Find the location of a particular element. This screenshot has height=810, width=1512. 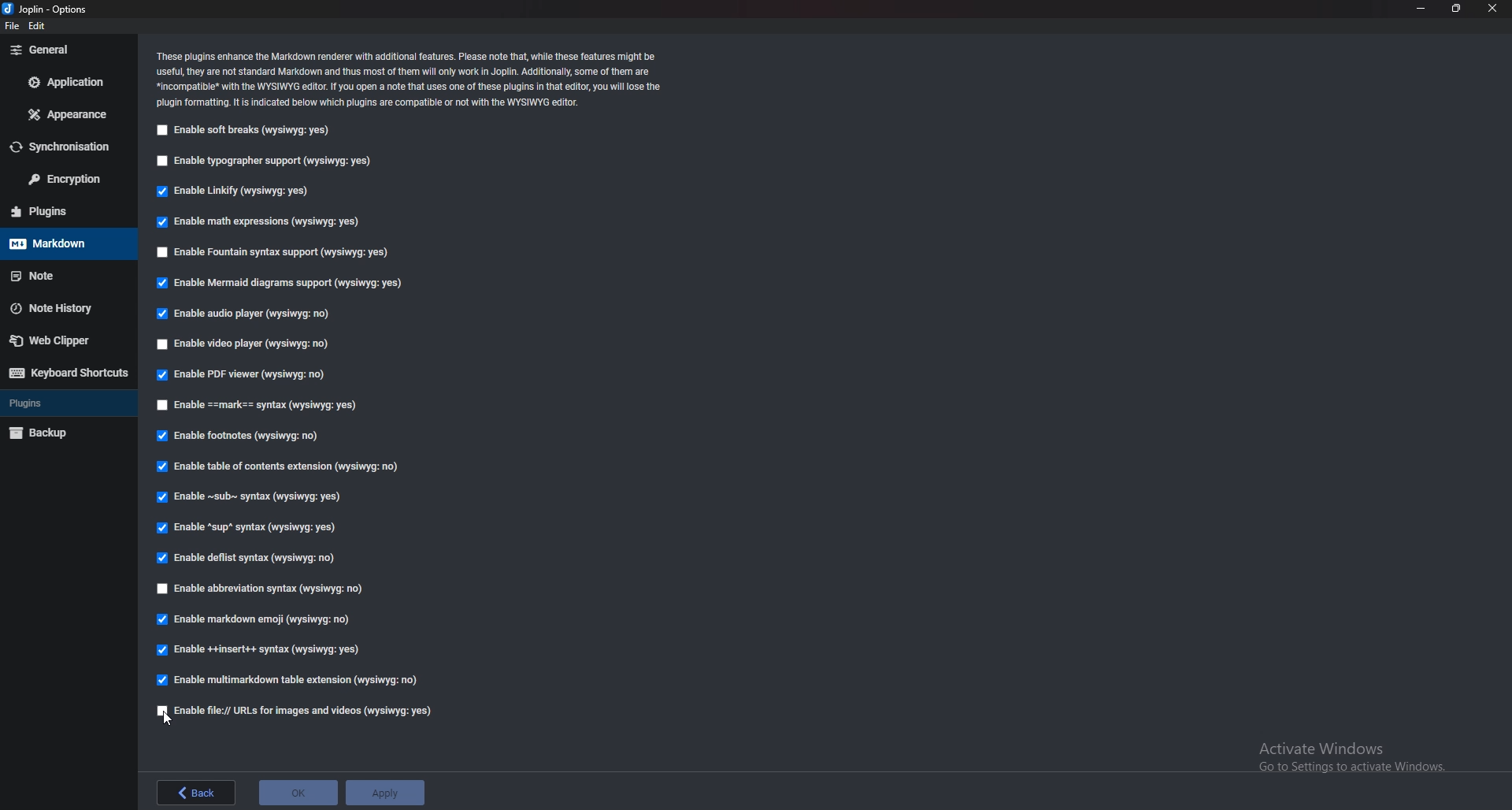

Enable insert syntax is located at coordinates (264, 648).